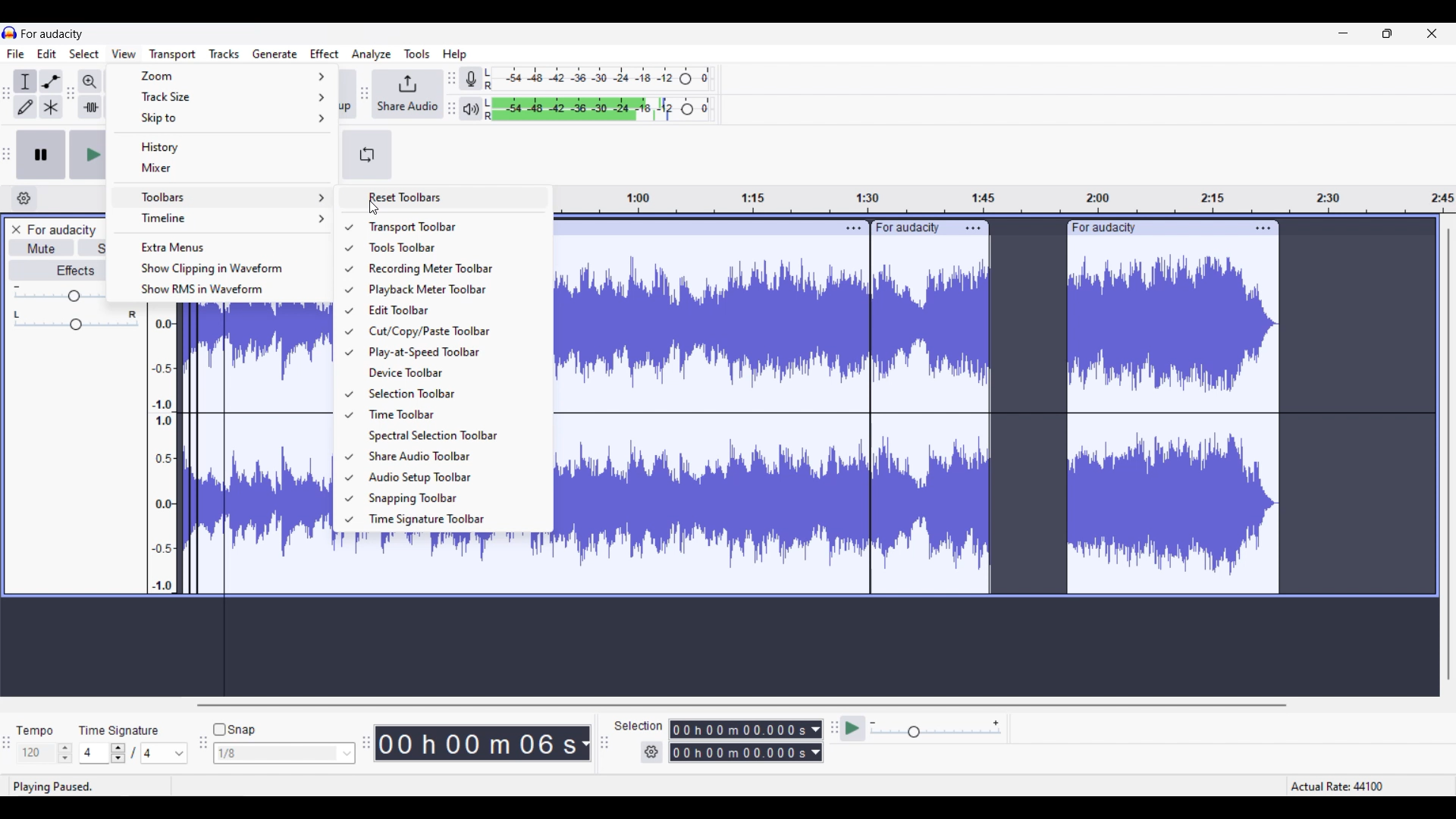  I want to click on Audio setup toolbar, so click(450, 478).